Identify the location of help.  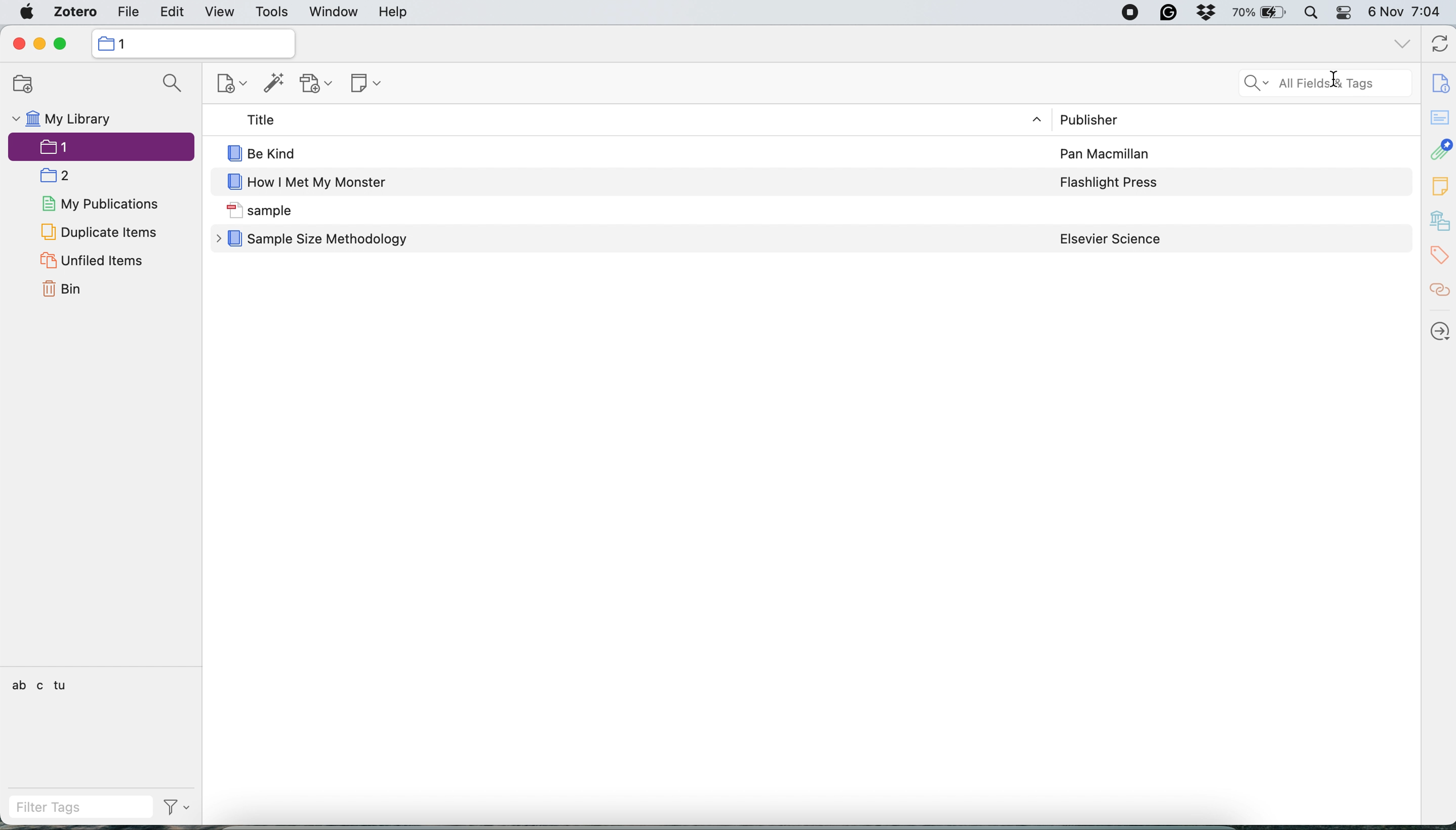
(401, 13).